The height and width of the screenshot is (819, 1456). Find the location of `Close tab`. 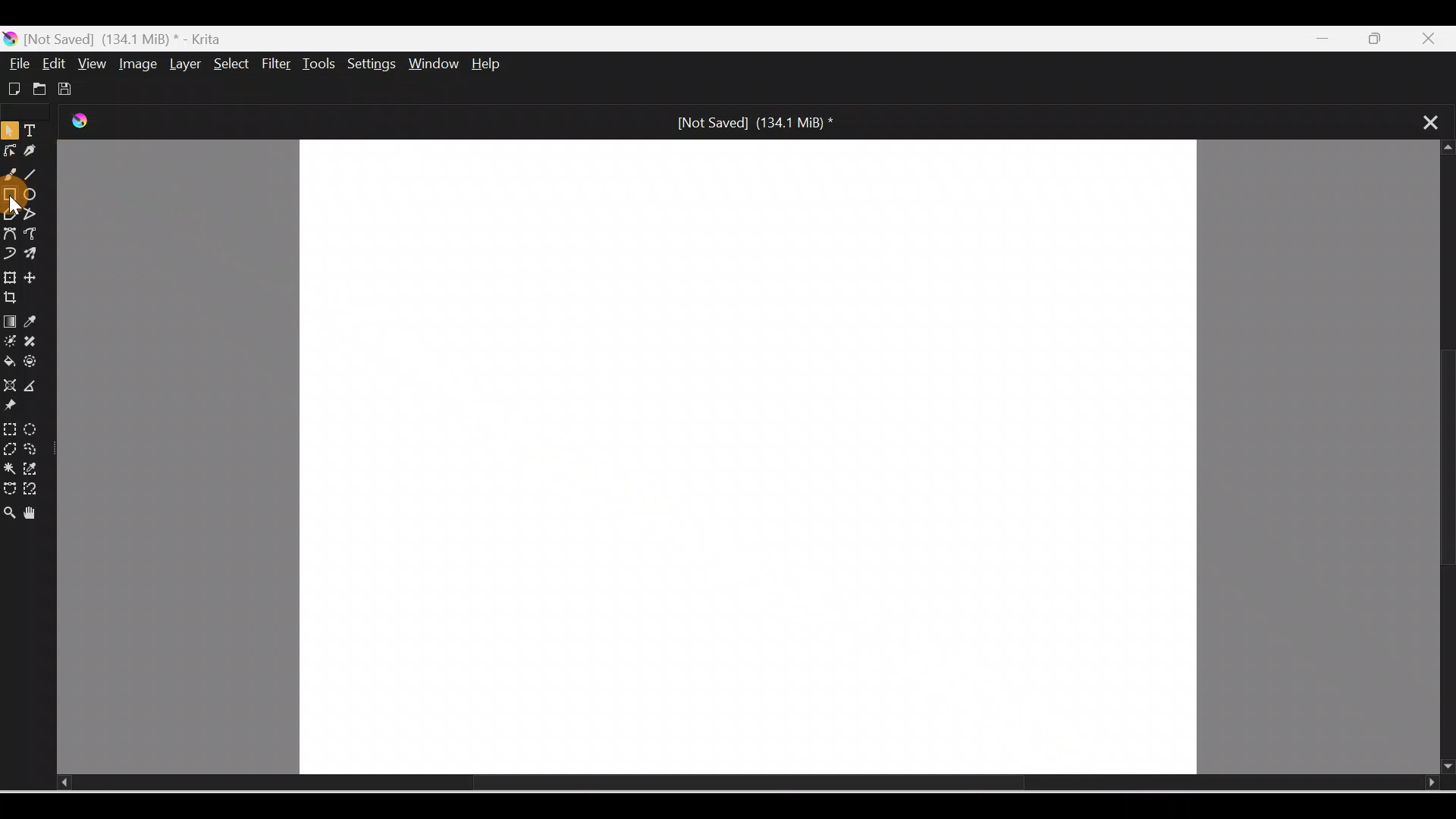

Close tab is located at coordinates (1423, 121).